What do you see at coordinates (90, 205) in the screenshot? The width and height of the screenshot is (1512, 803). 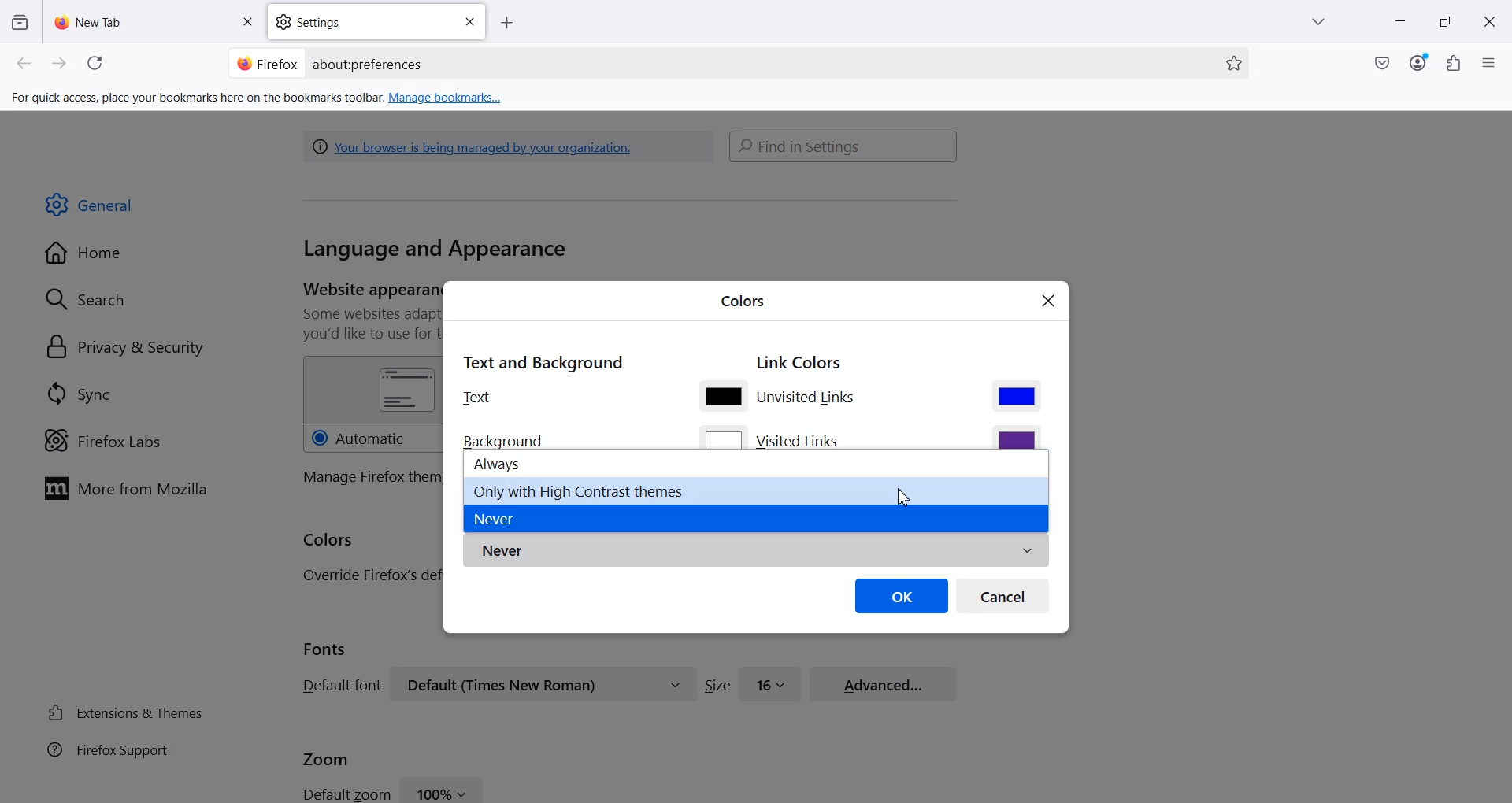 I see `fx] General` at bounding box center [90, 205].